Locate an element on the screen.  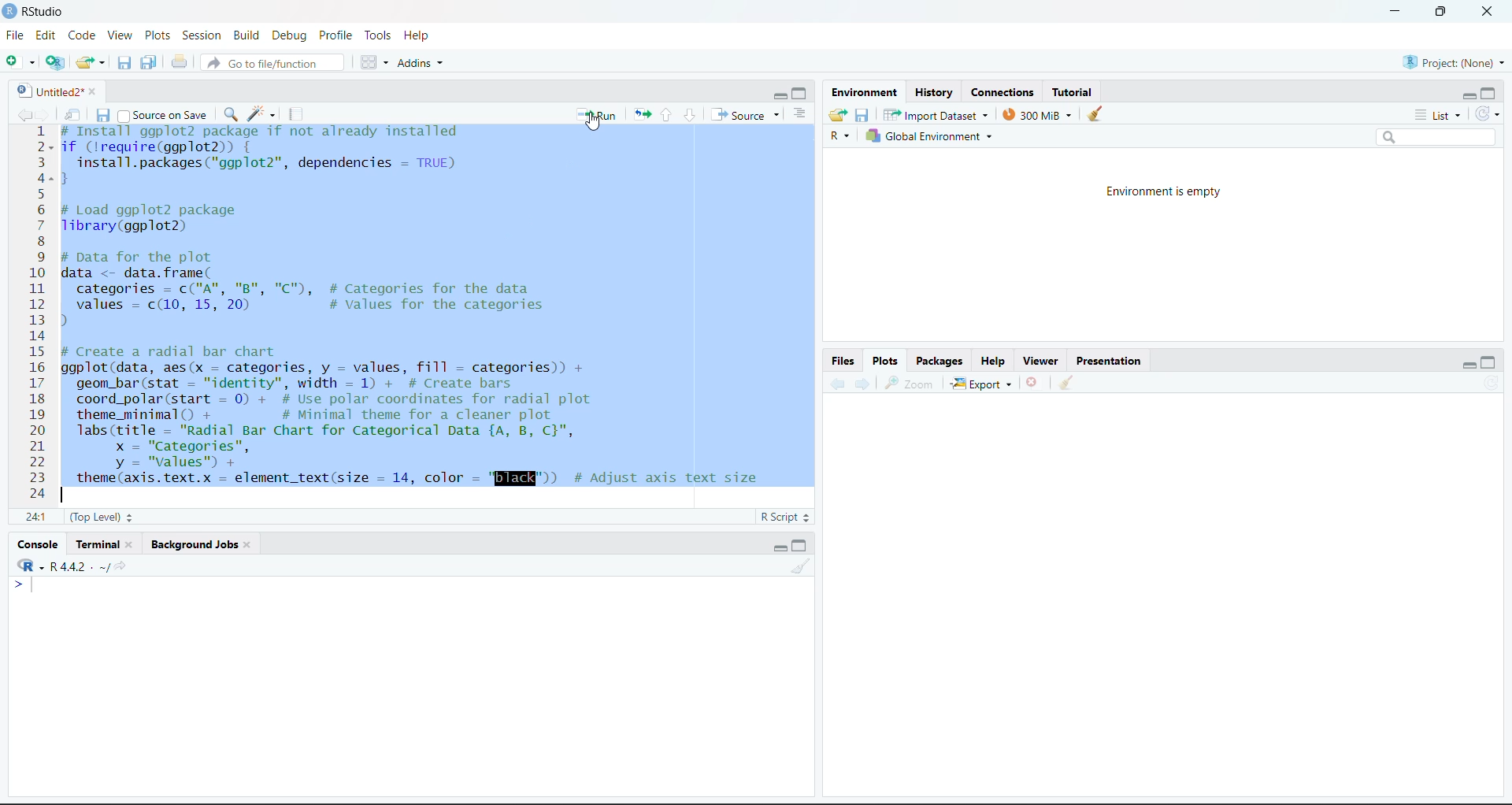
go to next section/chunk is located at coordinates (691, 114).